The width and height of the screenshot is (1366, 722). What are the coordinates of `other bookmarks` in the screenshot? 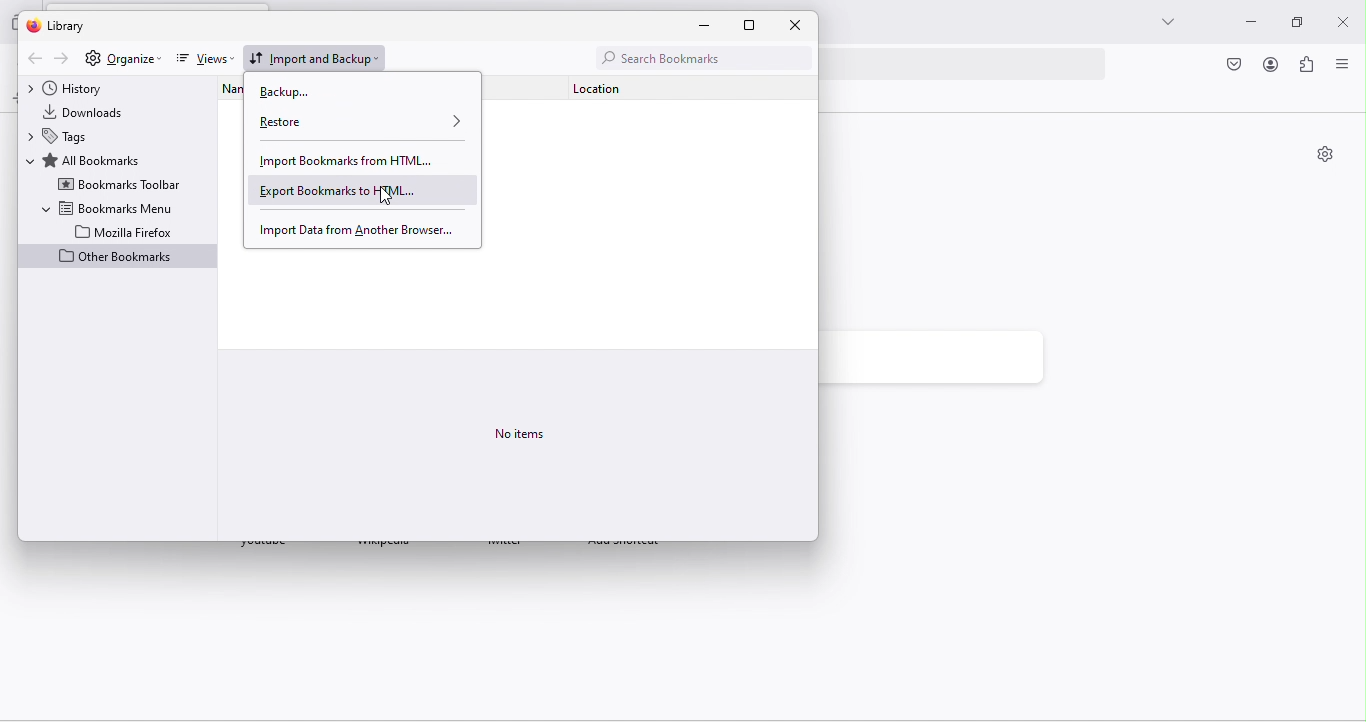 It's located at (117, 258).